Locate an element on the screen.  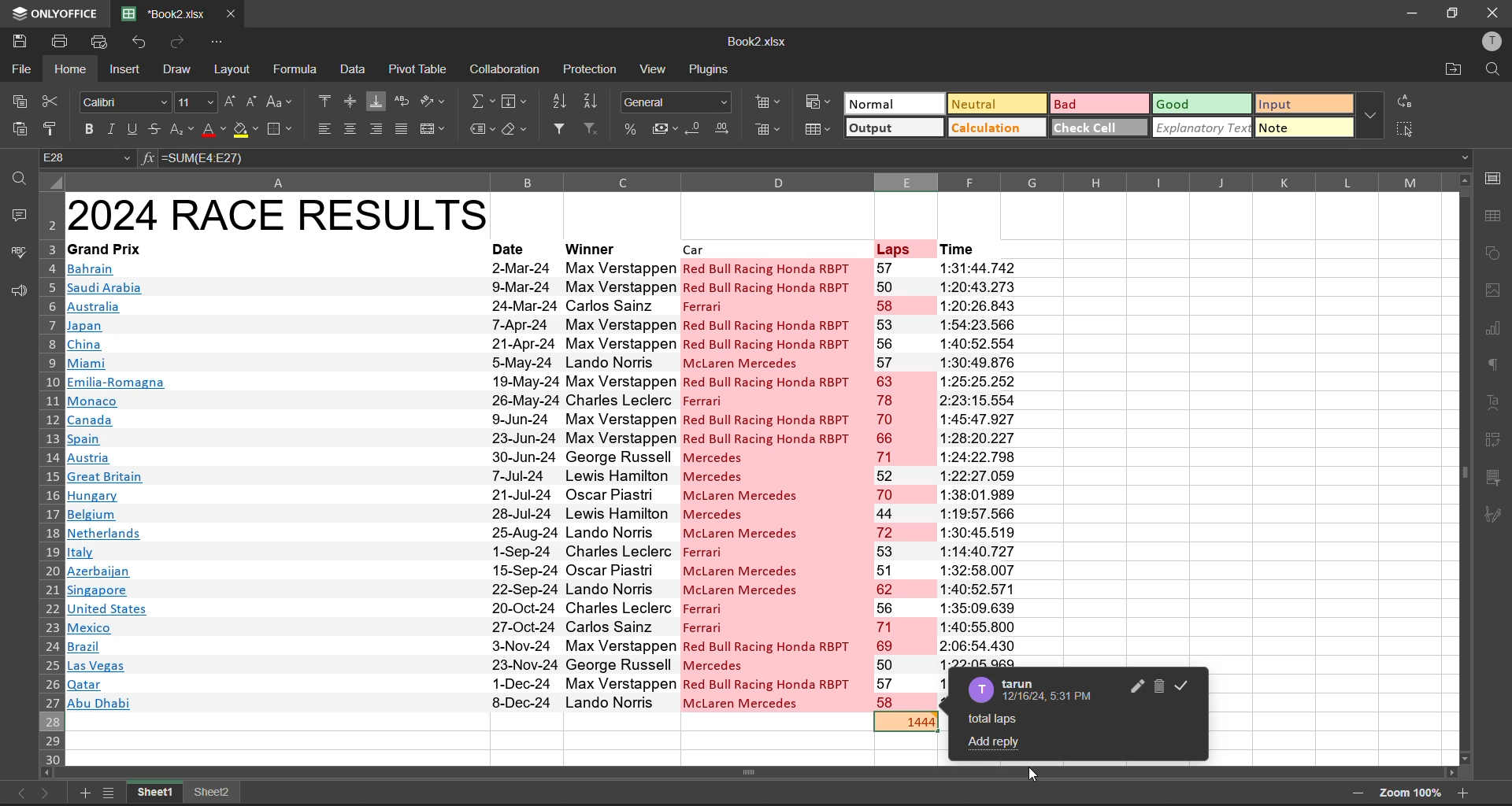
font color is located at coordinates (213, 130).